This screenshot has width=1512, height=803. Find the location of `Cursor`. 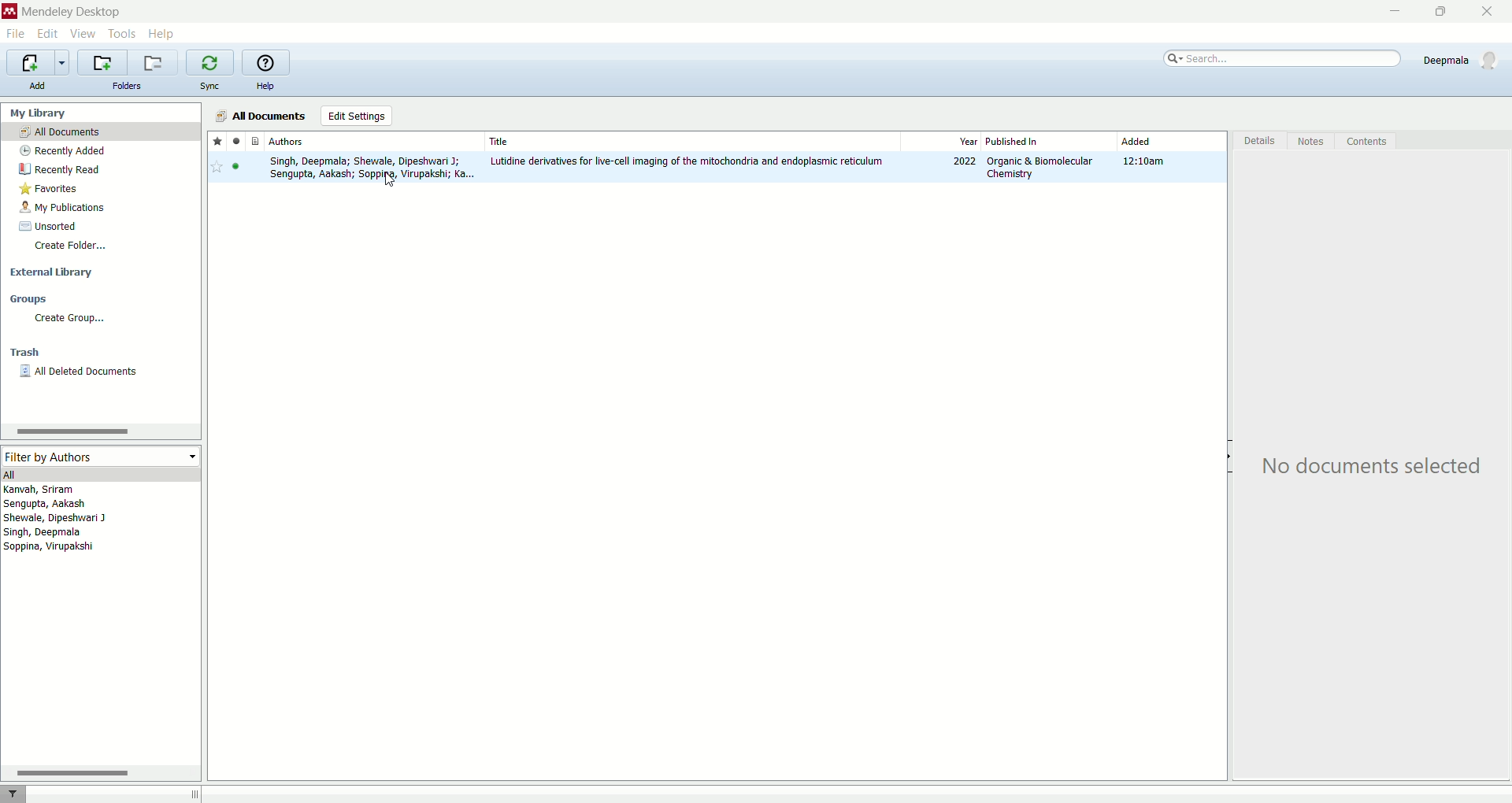

Cursor is located at coordinates (389, 183).